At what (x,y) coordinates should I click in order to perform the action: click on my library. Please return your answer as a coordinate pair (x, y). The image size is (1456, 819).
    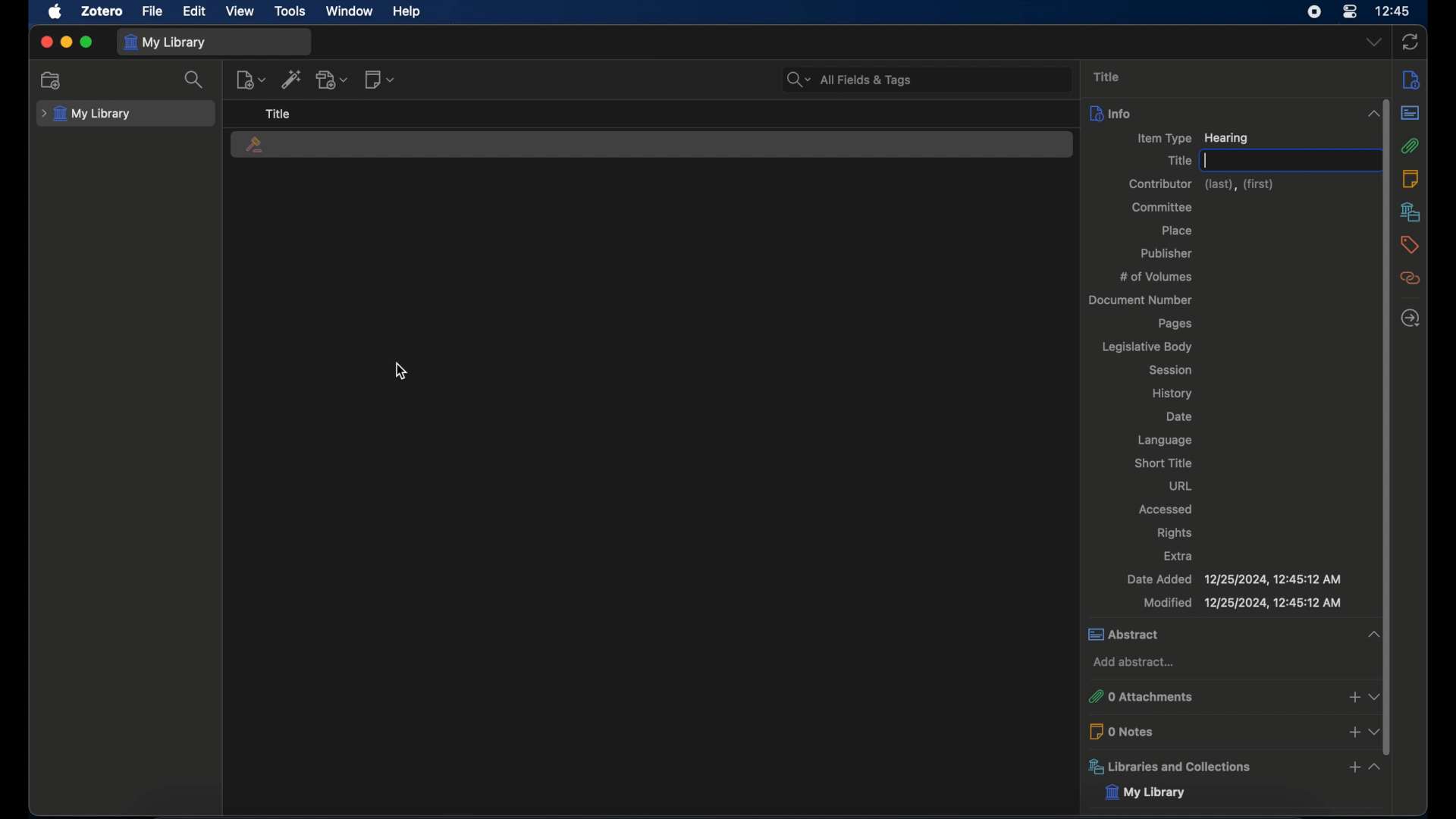
    Looking at the image, I should click on (1143, 792).